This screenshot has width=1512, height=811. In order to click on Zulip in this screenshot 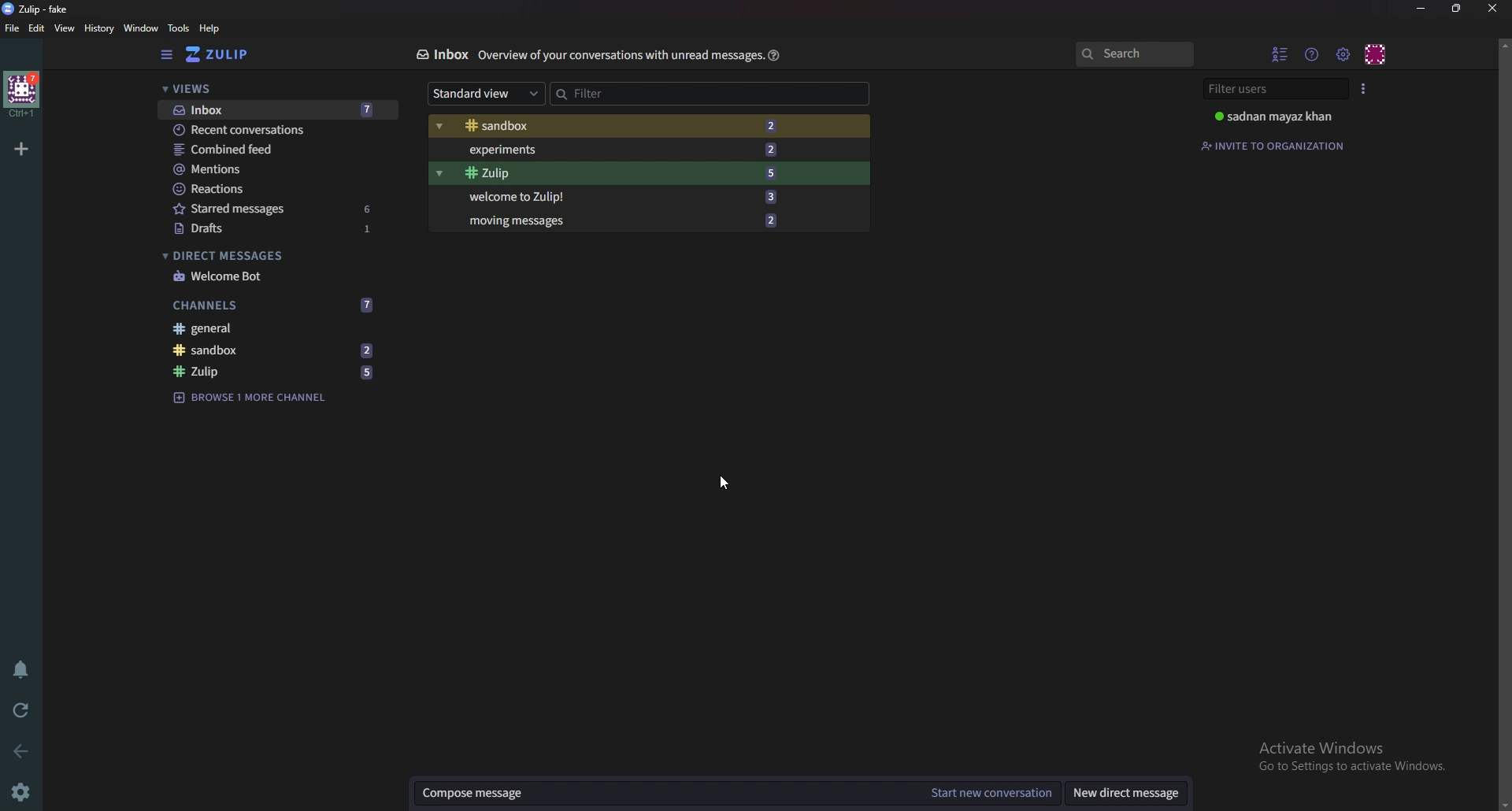, I will do `click(271, 371)`.